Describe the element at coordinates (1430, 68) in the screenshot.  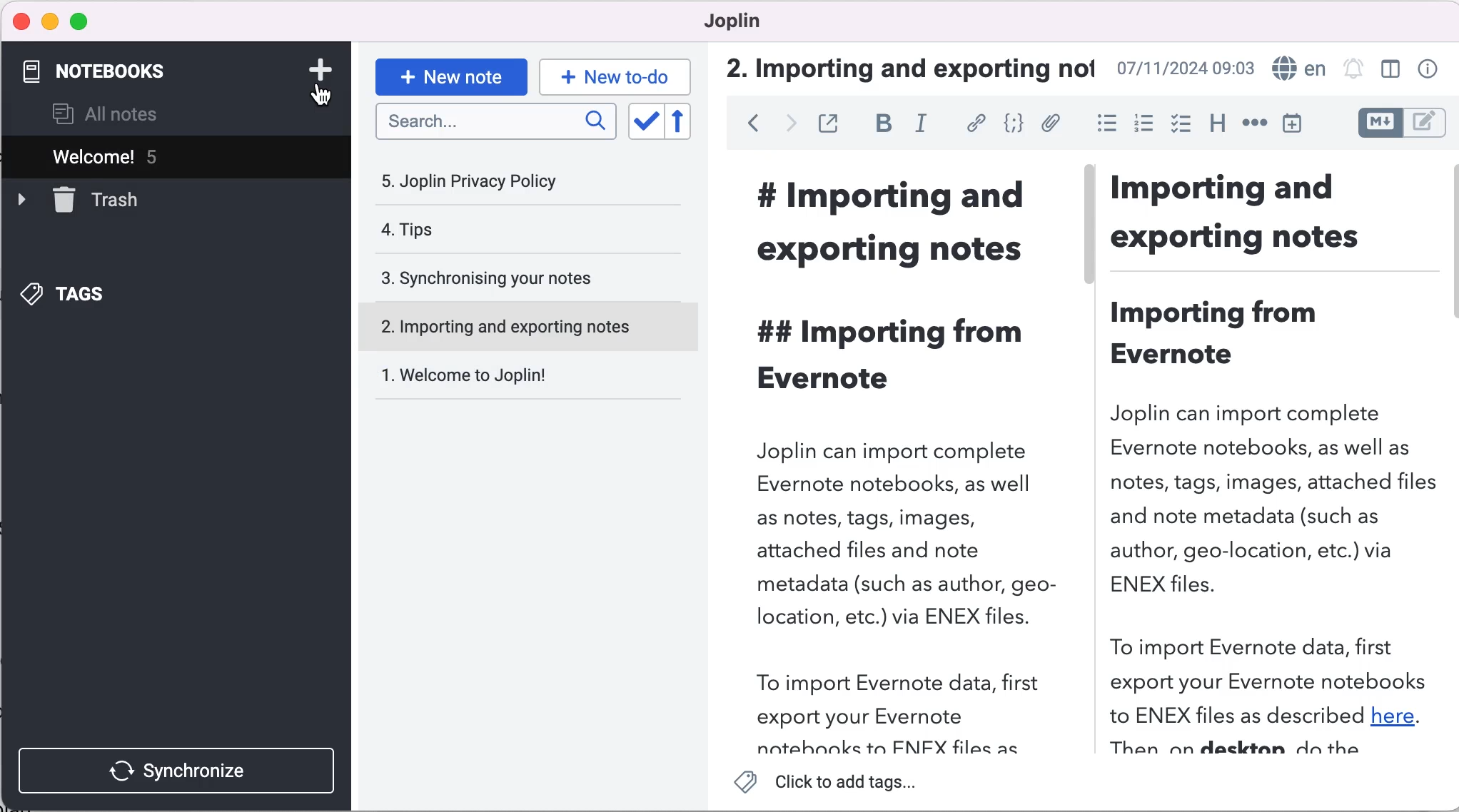
I see `properties note` at that location.